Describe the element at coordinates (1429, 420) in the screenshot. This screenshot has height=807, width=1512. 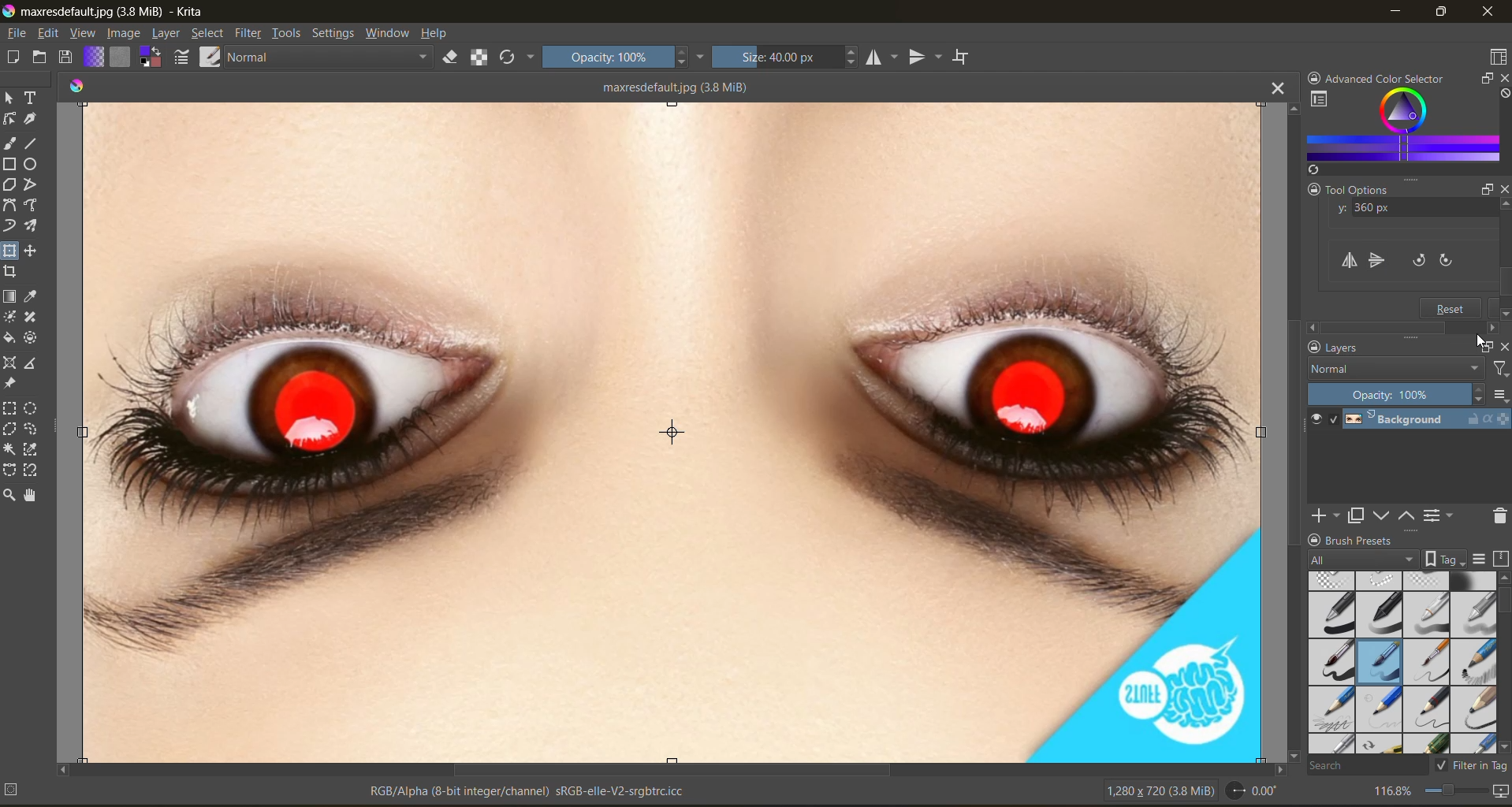
I see `layer` at that location.